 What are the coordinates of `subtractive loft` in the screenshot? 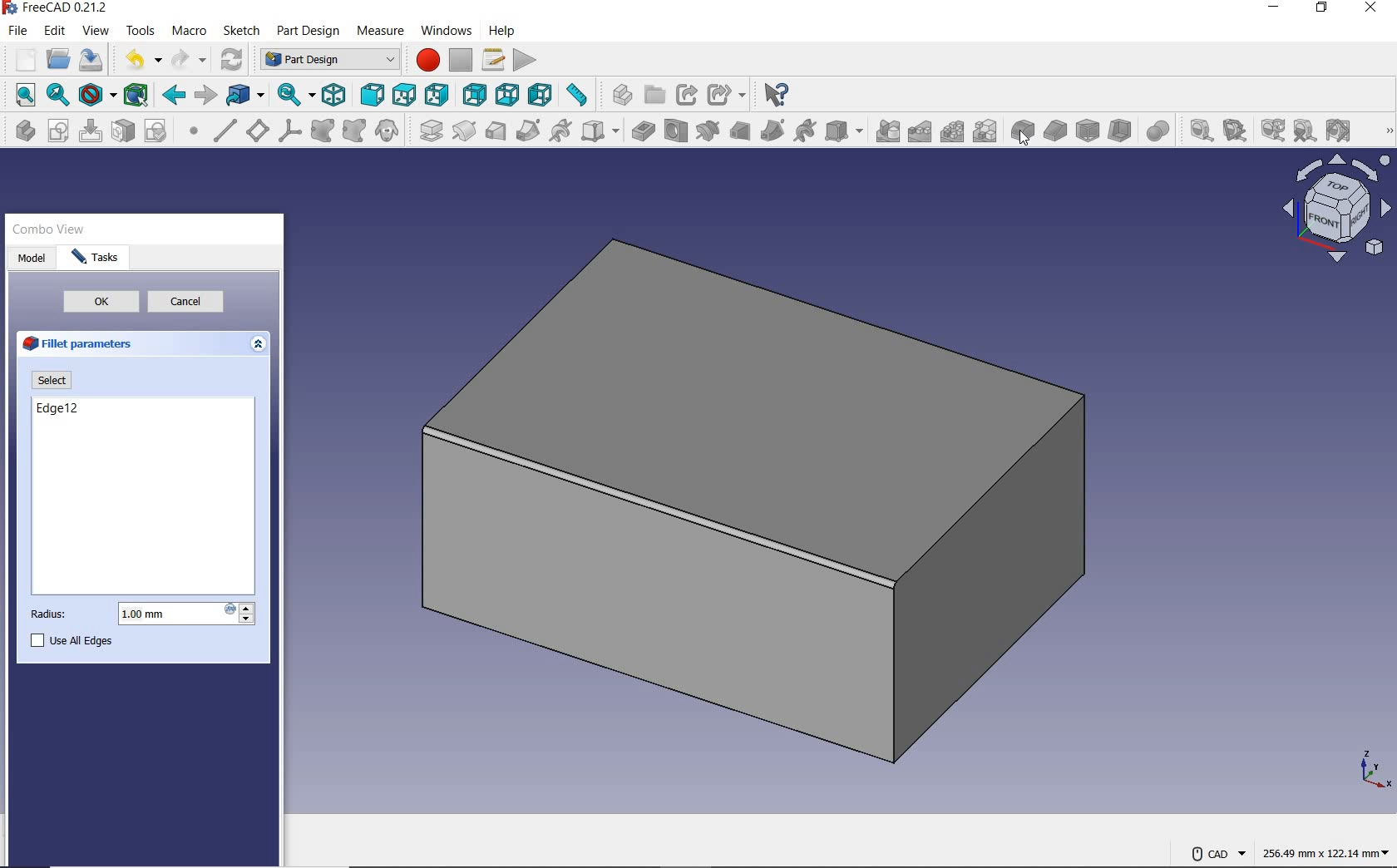 It's located at (740, 132).